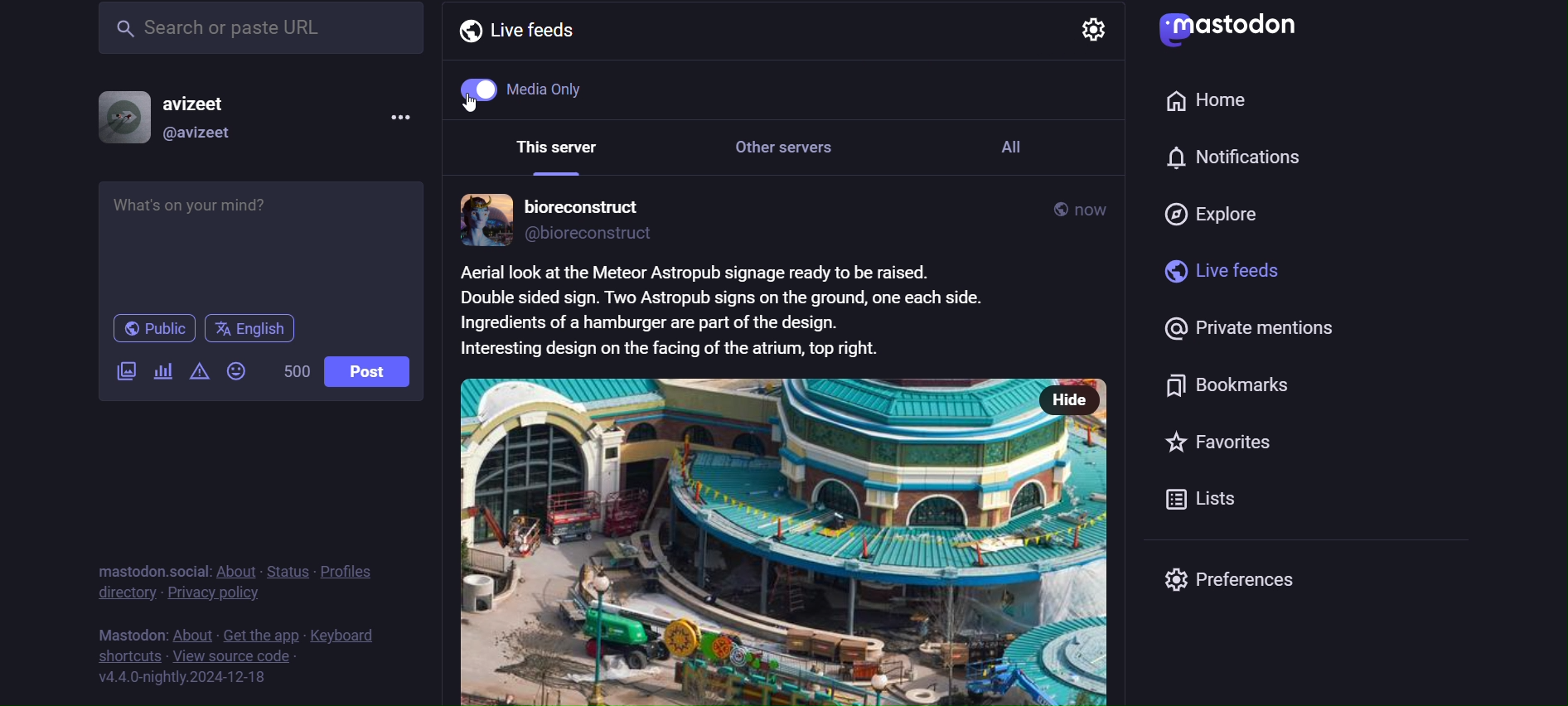 This screenshot has width=1568, height=706. I want to click on Live feeds, so click(525, 35).